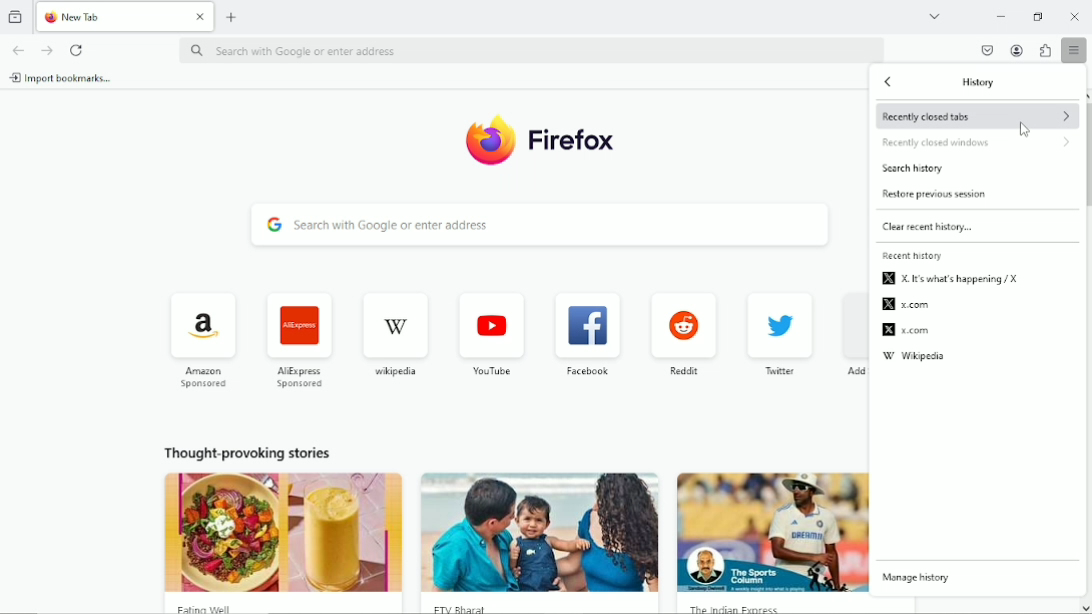 This screenshot has height=614, width=1092. Describe the element at coordinates (280, 531) in the screenshot. I see `image` at that location.